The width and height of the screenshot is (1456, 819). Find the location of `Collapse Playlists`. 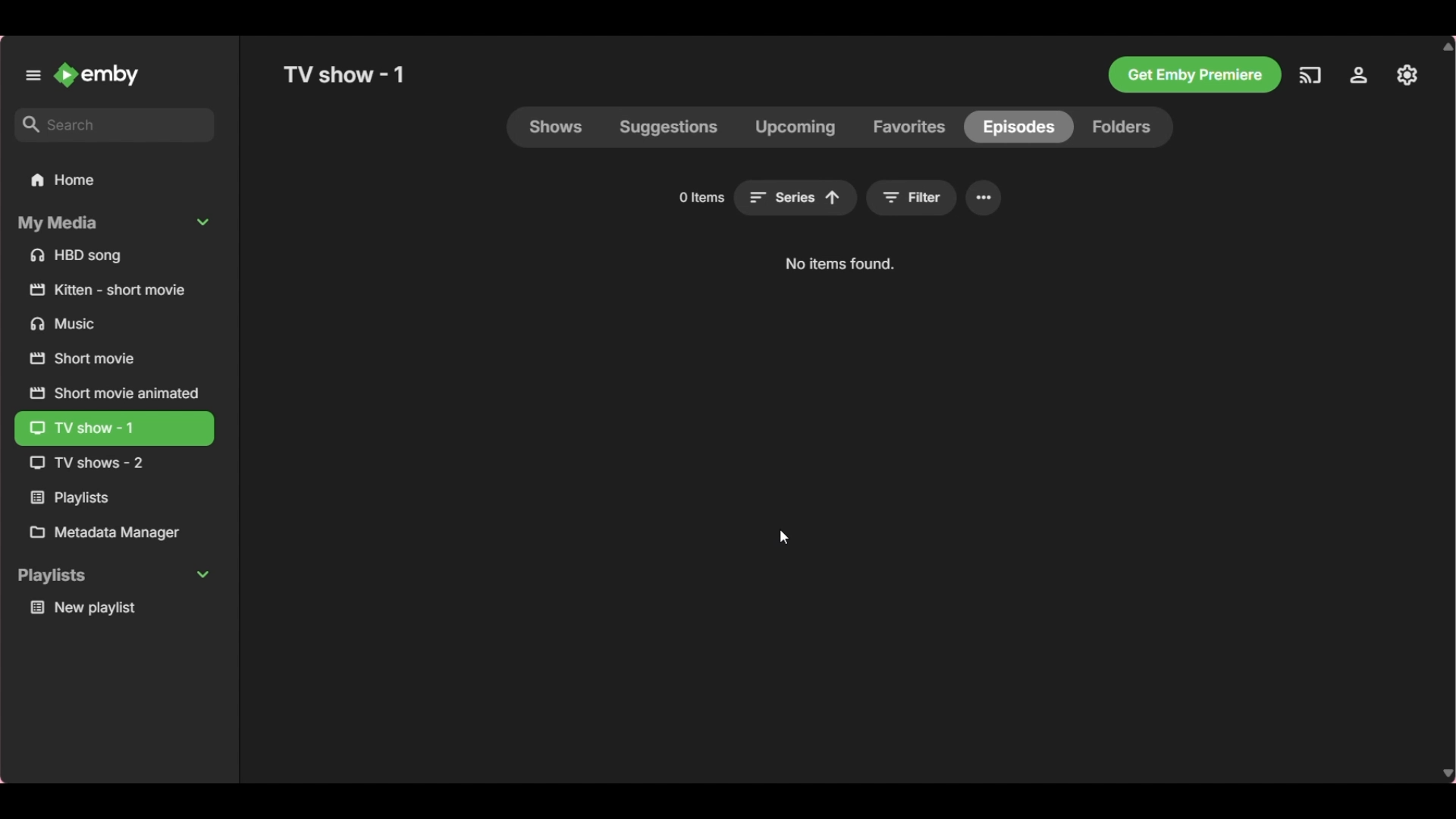

Collapse Playlists is located at coordinates (114, 577).